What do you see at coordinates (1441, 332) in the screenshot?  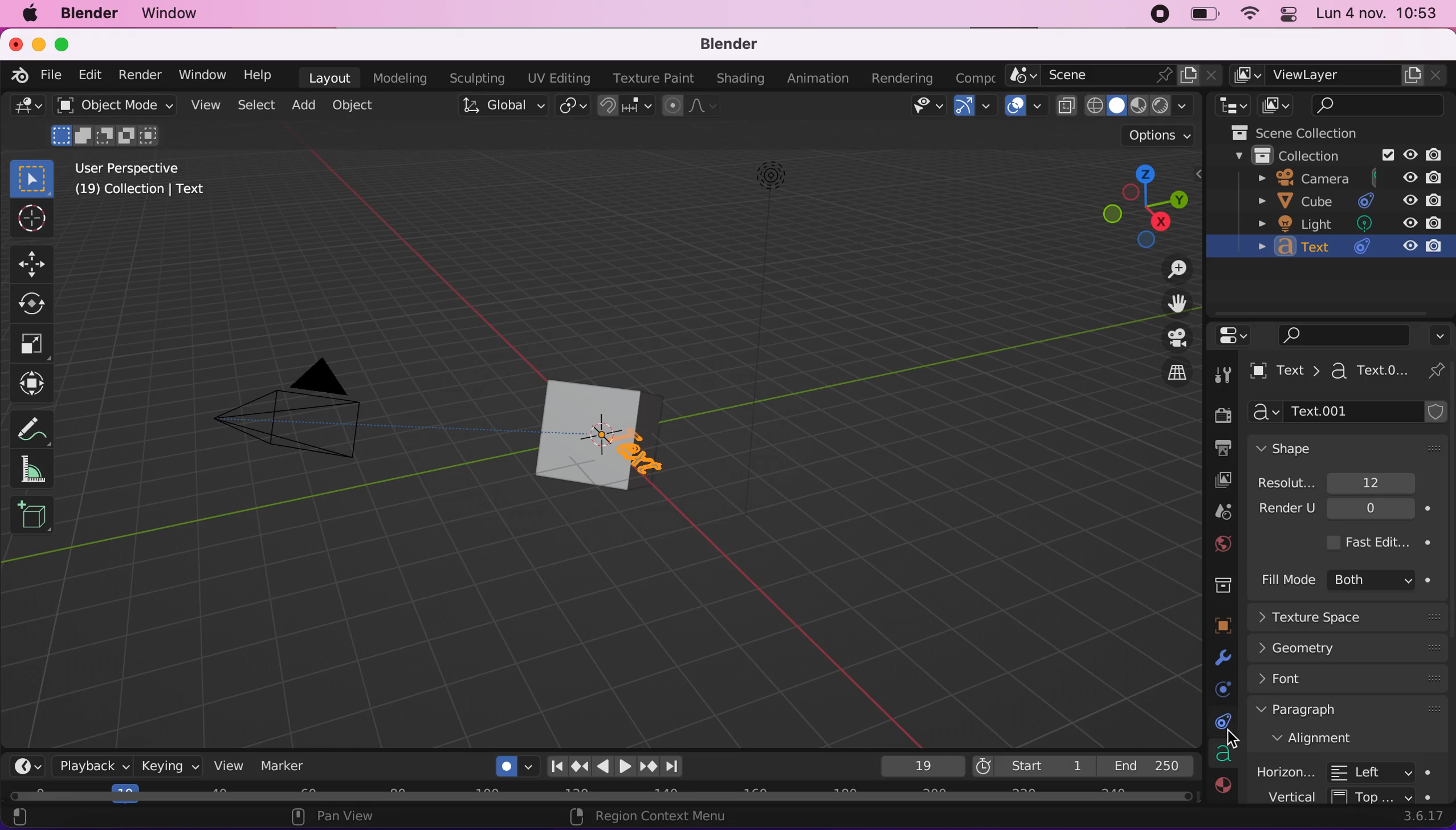 I see `options` at bounding box center [1441, 332].